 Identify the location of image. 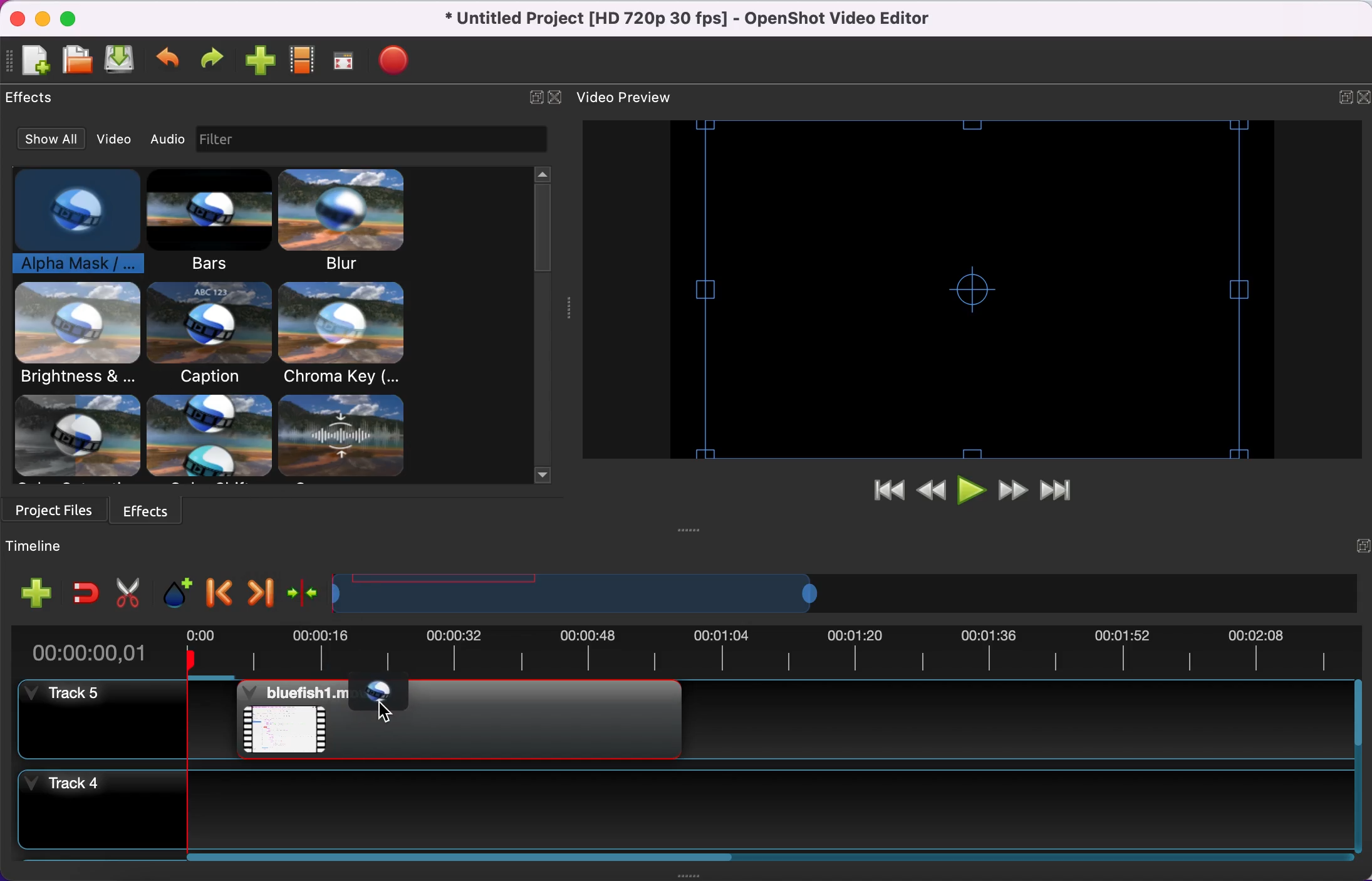
(221, 140).